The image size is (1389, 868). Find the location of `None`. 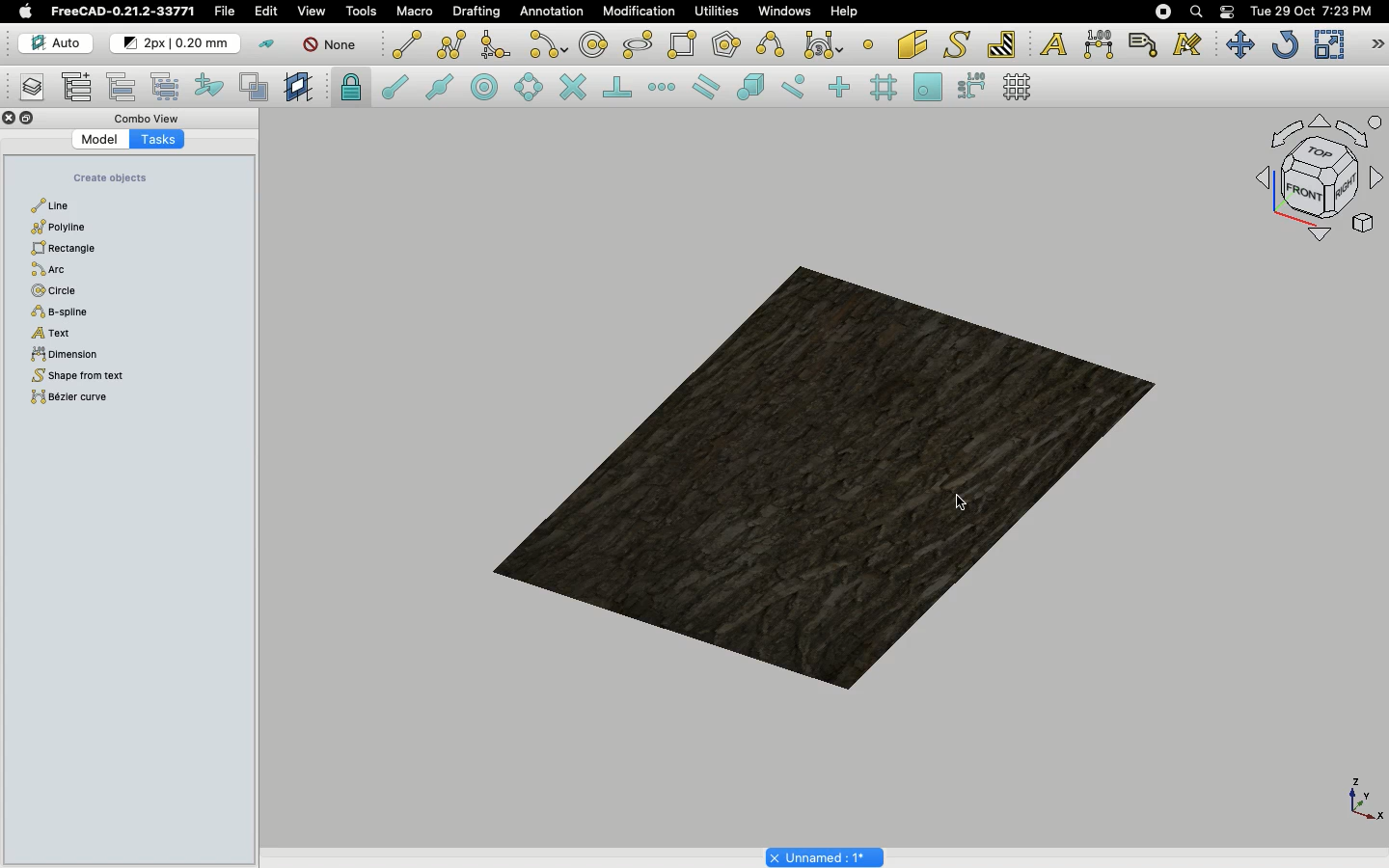

None is located at coordinates (329, 46).